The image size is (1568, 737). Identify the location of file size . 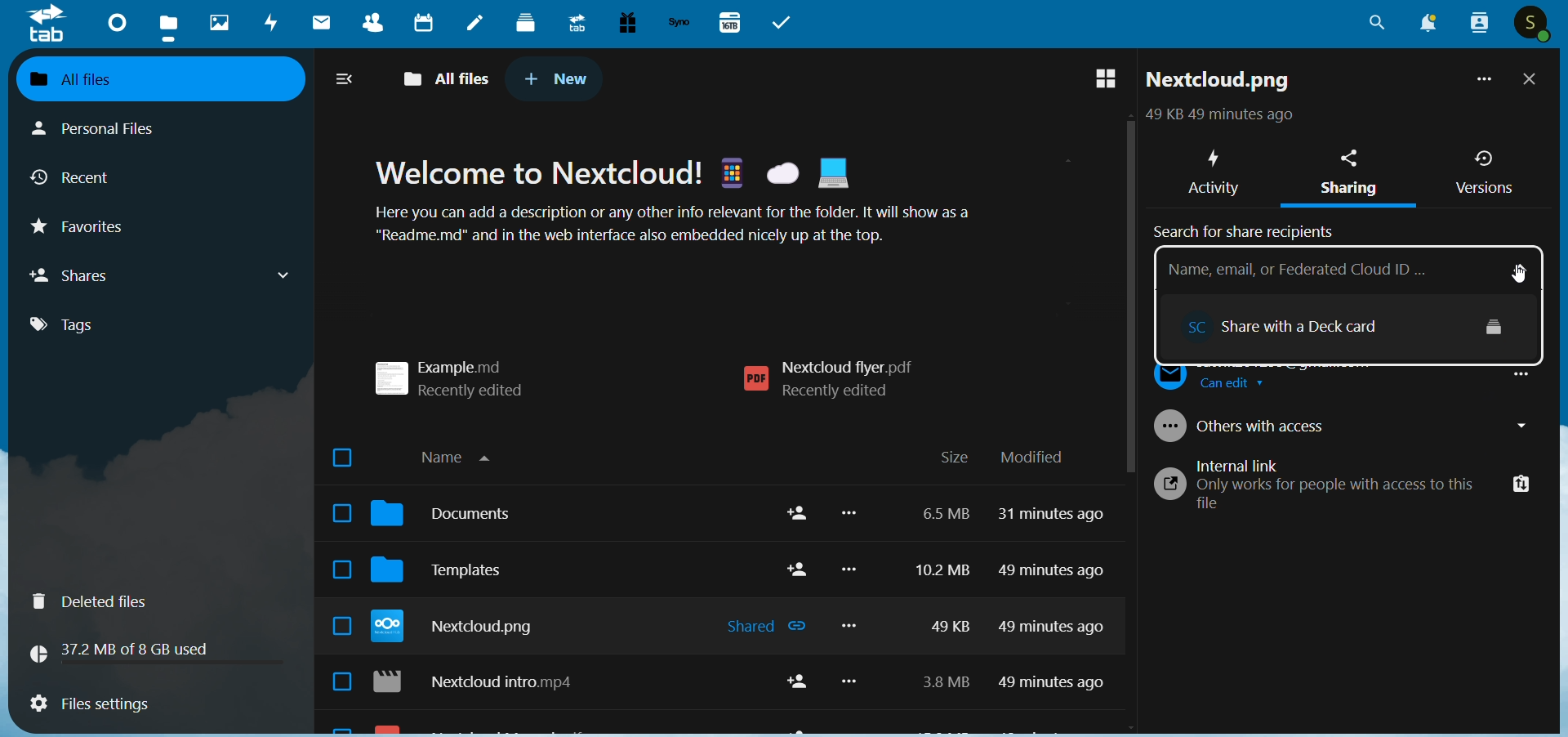
(938, 603).